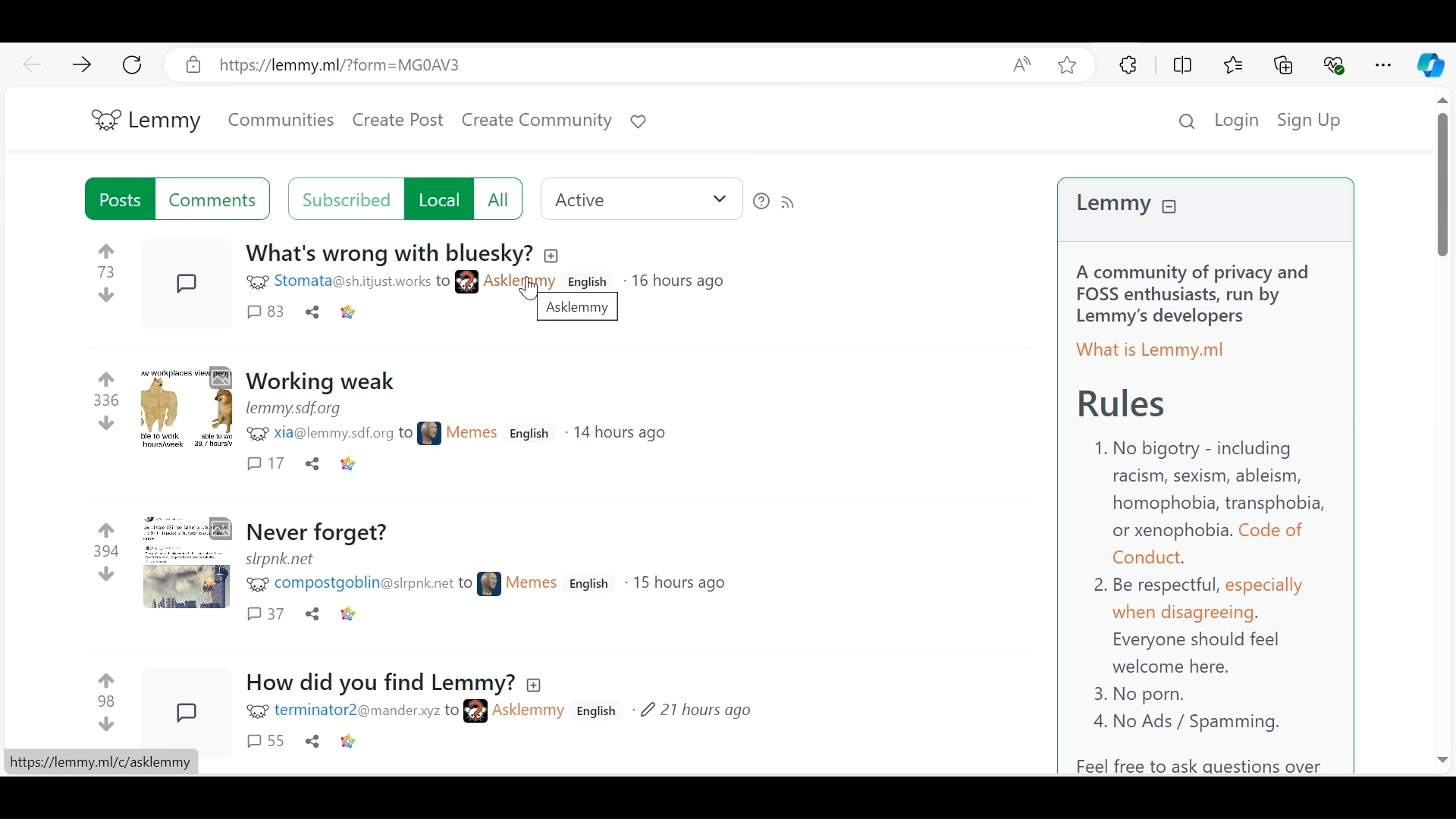 This screenshot has height=819, width=1456. I want to click on Search, so click(1188, 119).